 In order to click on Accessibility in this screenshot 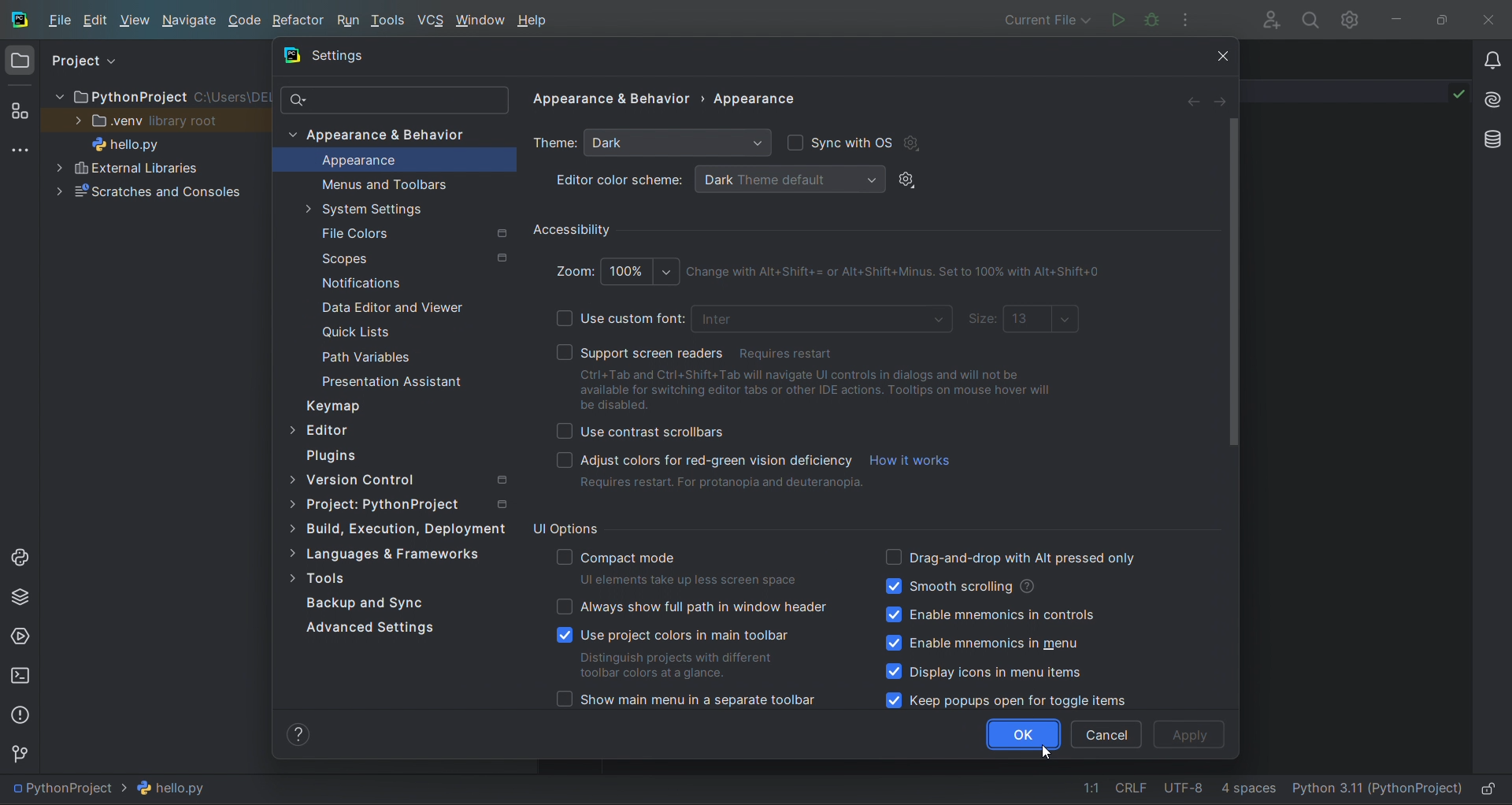, I will do `click(573, 229)`.